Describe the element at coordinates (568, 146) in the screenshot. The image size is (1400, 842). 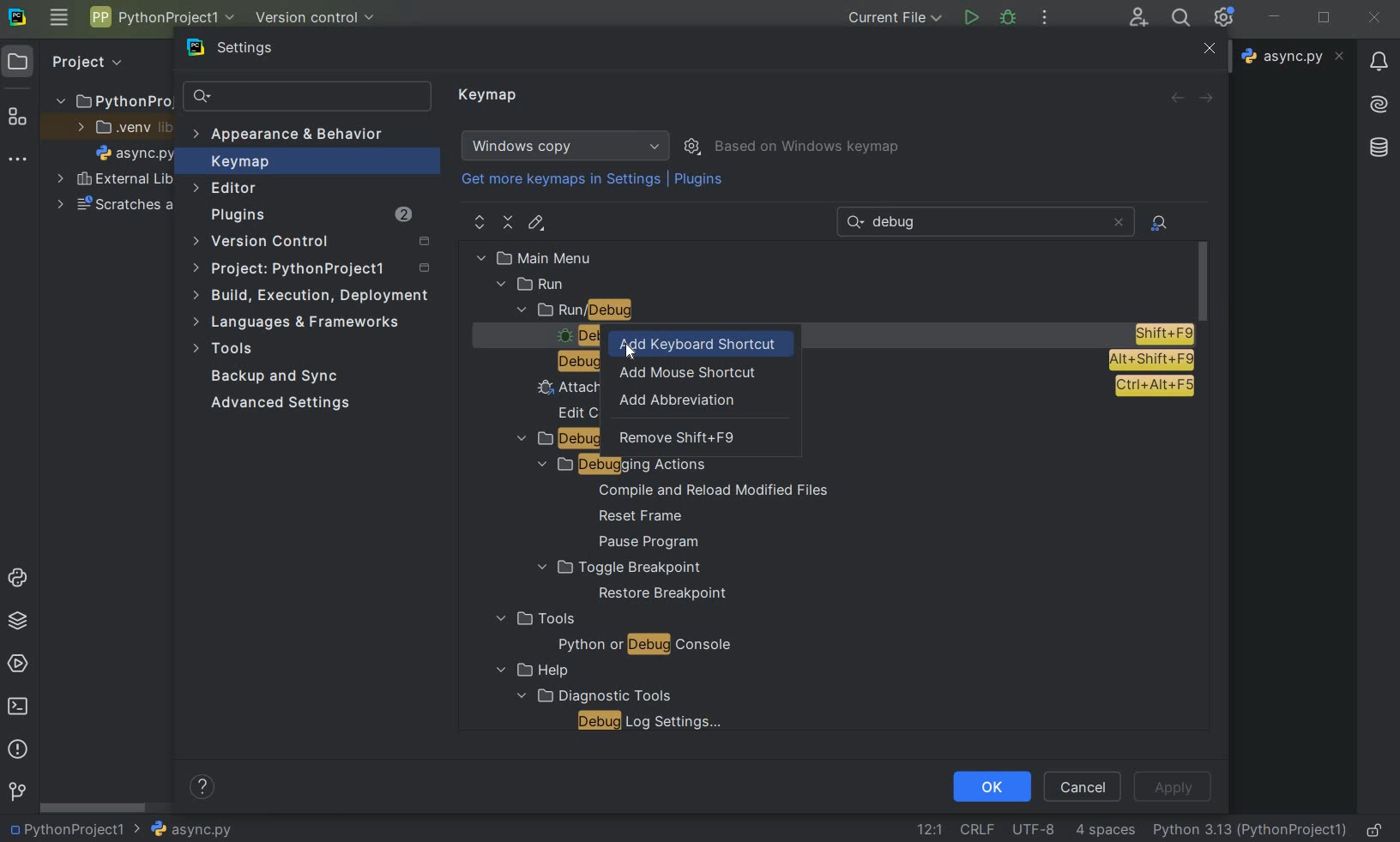
I see `windows copy` at that location.